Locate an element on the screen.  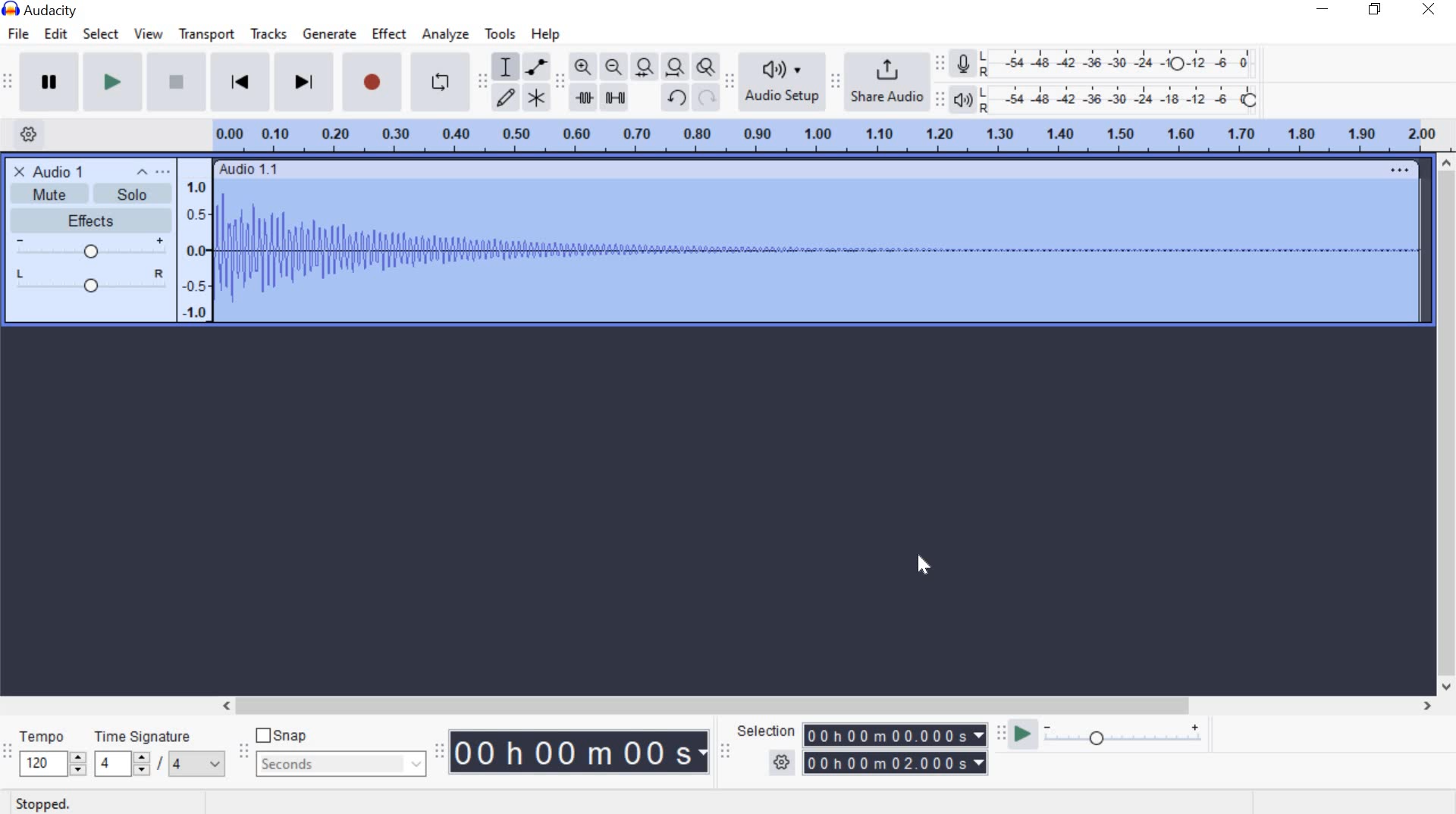
scrollbar is located at coordinates (822, 705).